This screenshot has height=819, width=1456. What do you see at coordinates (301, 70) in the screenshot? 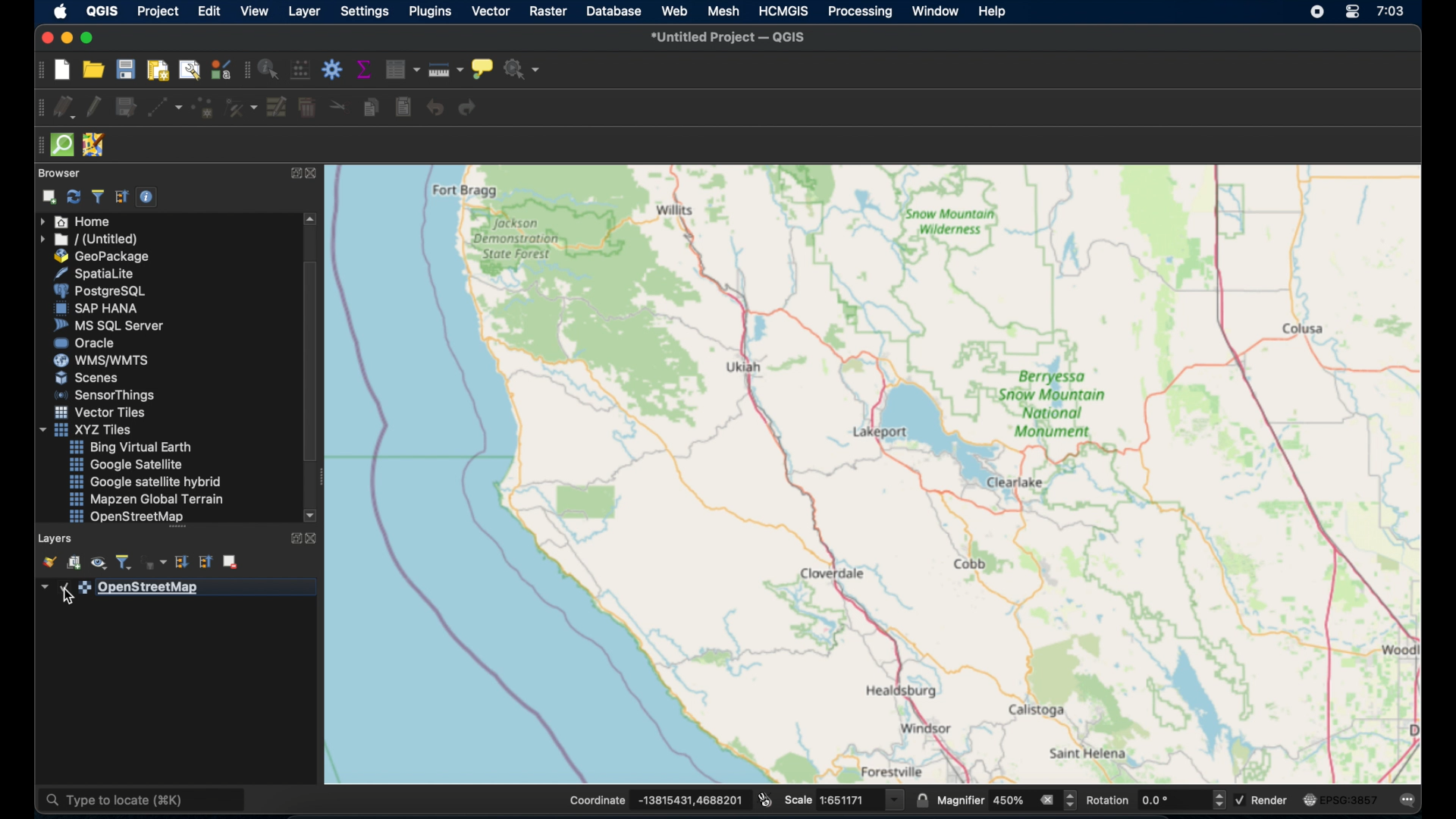
I see `open field calculator` at bounding box center [301, 70].